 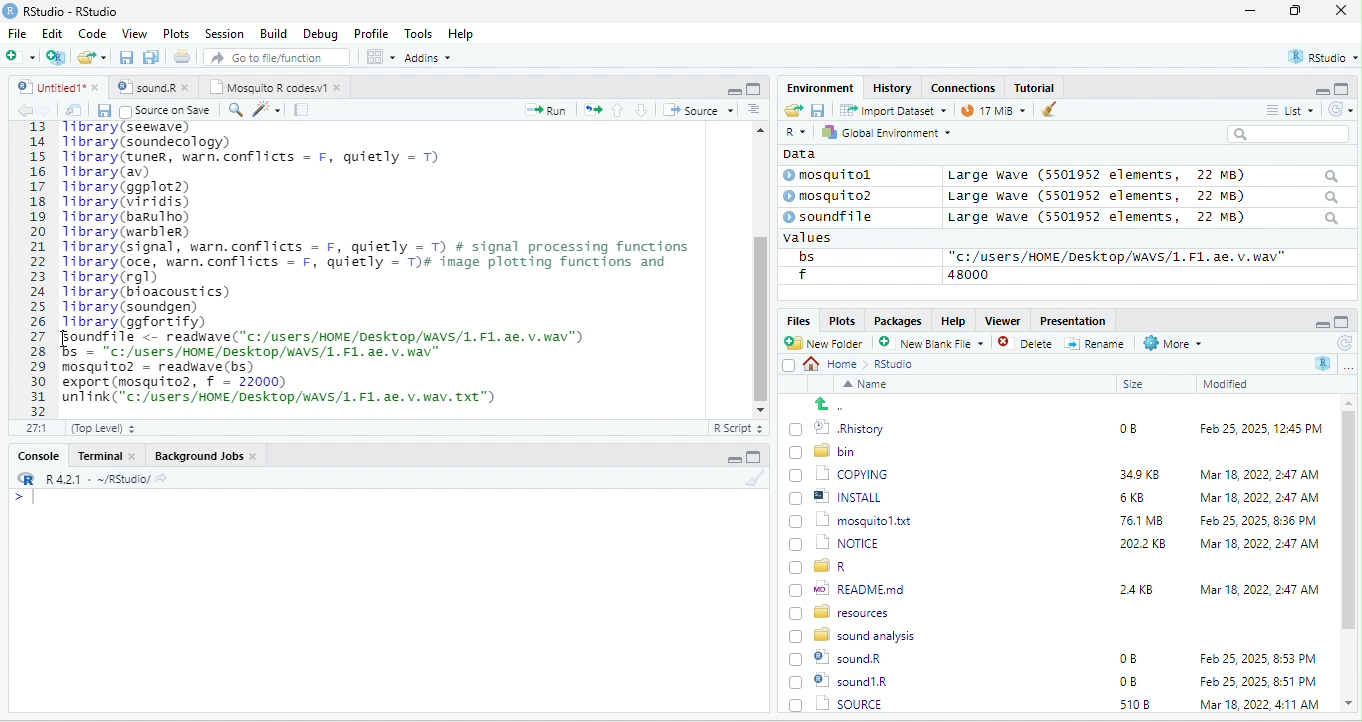 I want to click on Tools, so click(x=419, y=33).